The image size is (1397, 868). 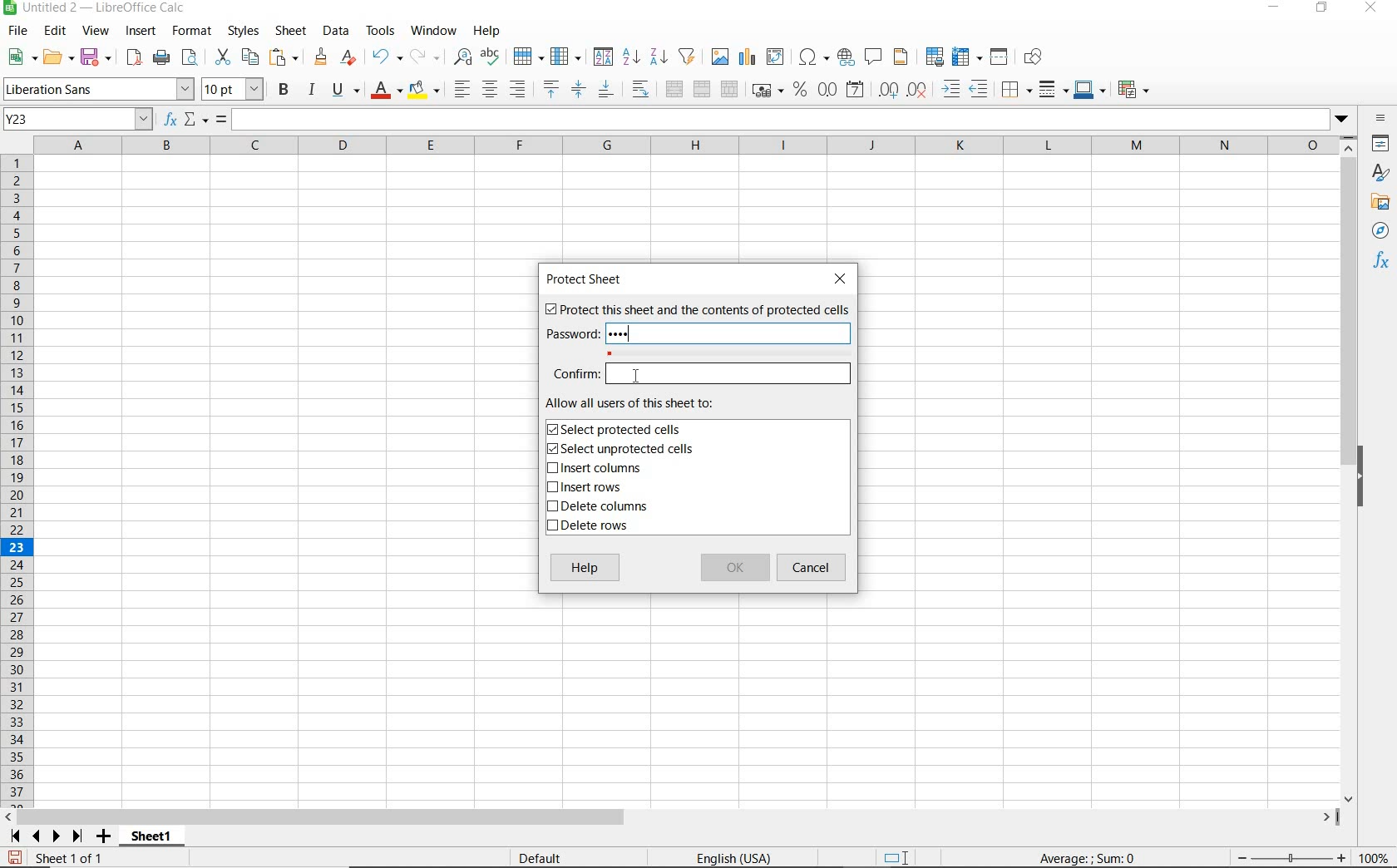 I want to click on FILE NAME, so click(x=97, y=9).